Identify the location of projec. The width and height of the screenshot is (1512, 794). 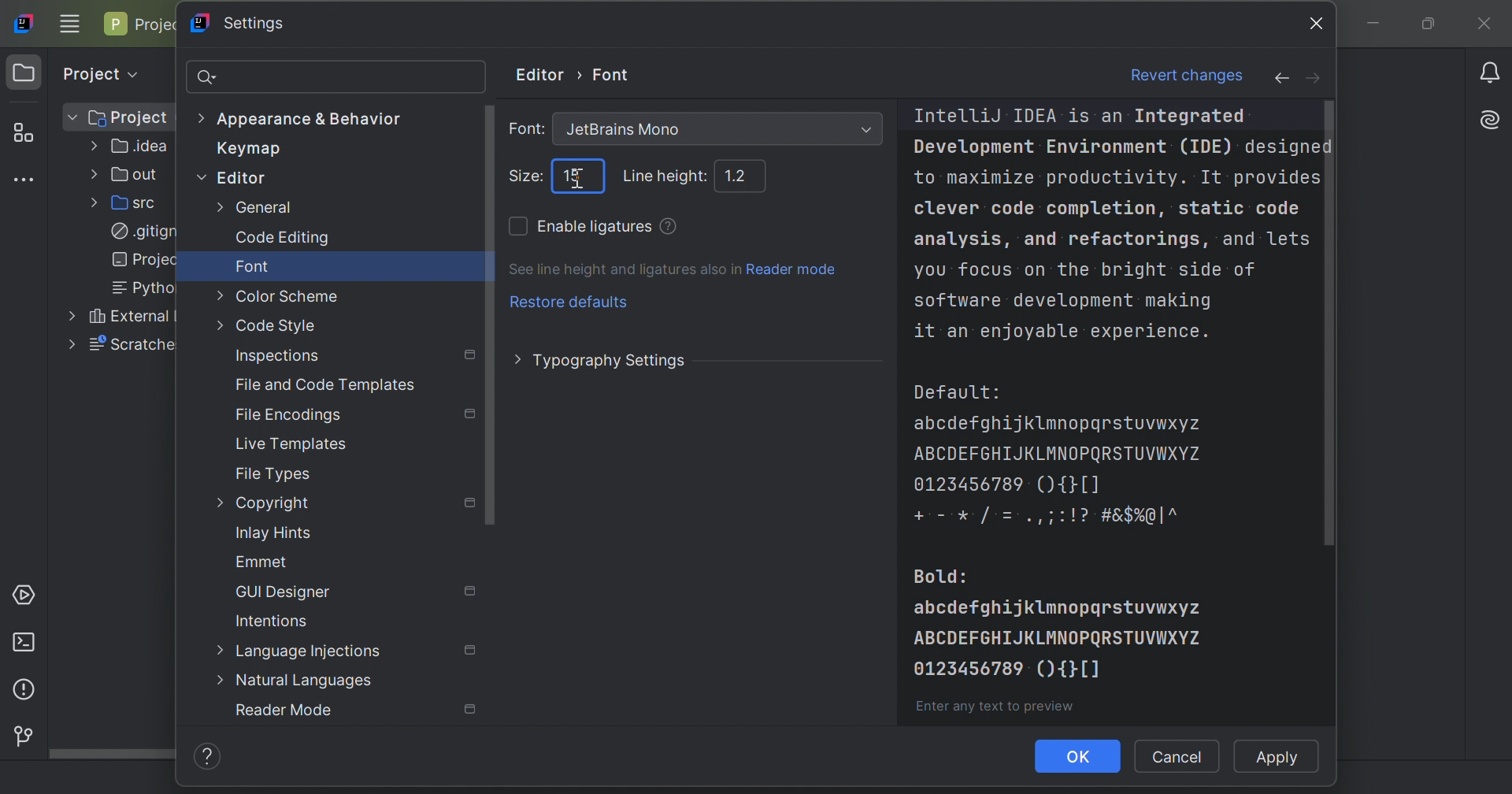
(139, 259).